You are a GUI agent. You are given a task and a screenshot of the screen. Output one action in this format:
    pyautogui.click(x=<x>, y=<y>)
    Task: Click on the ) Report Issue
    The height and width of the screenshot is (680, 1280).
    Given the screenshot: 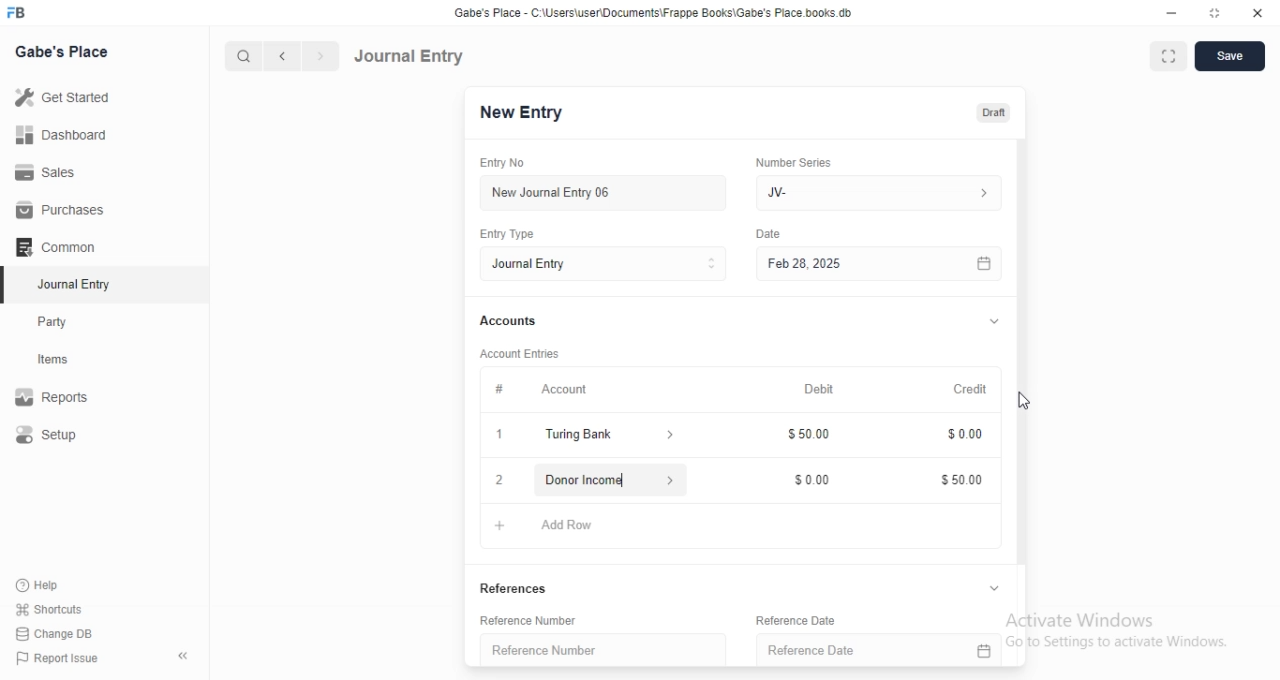 What is the action you would take?
    pyautogui.click(x=59, y=659)
    